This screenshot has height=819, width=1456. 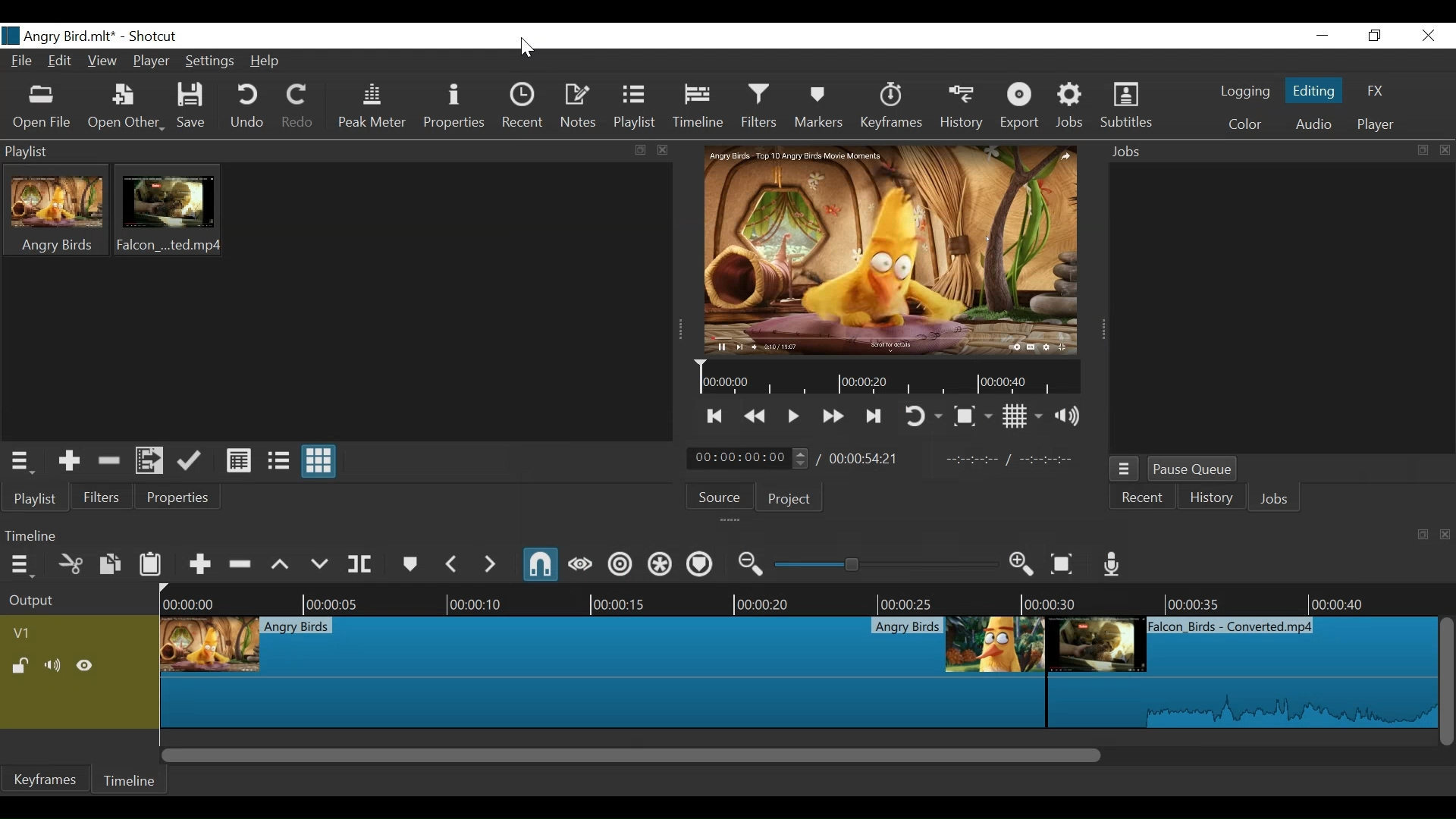 What do you see at coordinates (69, 461) in the screenshot?
I see `Add the Source to the playlist` at bounding box center [69, 461].